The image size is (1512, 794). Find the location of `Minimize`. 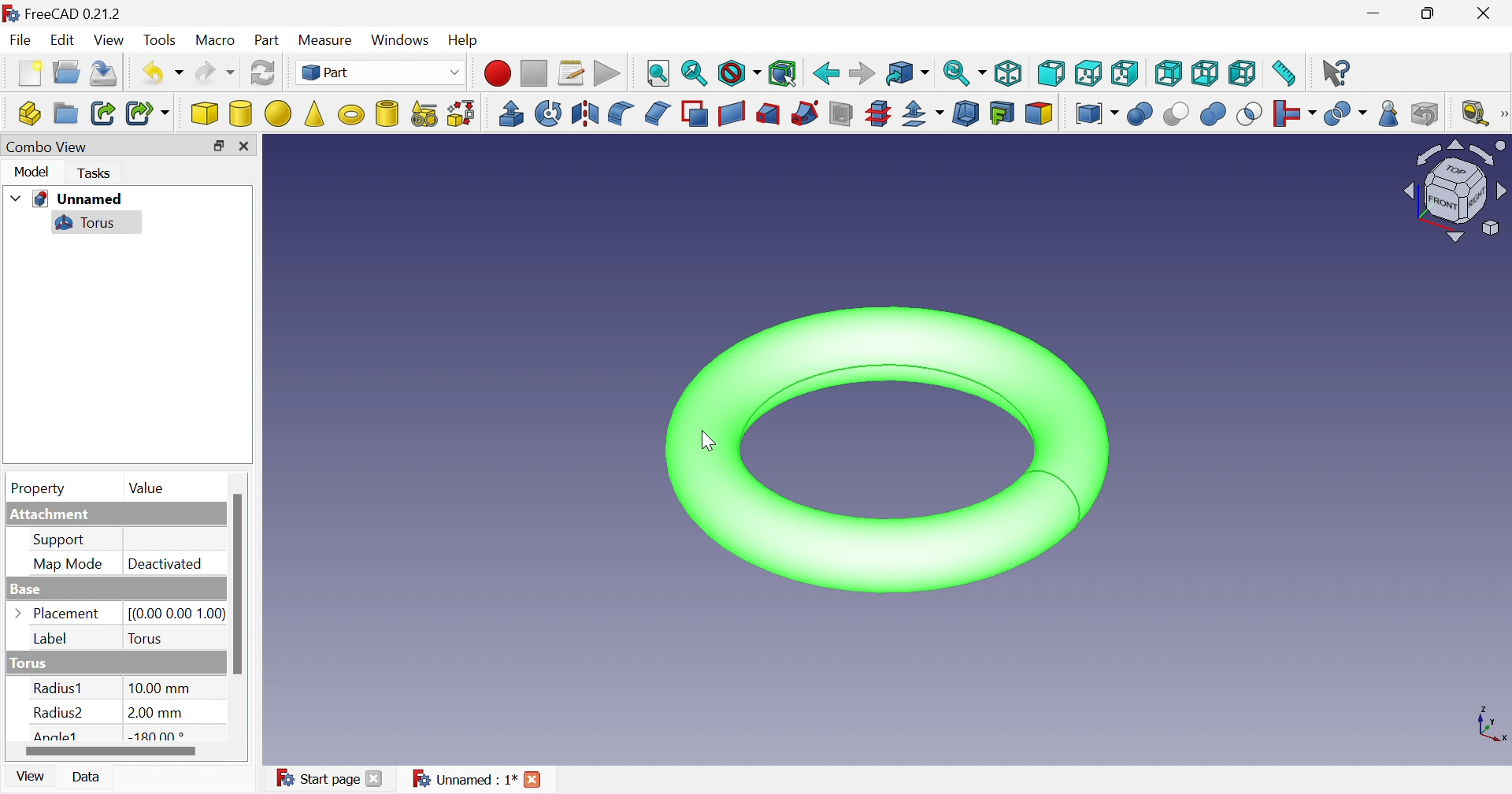

Minimize is located at coordinates (1376, 13).